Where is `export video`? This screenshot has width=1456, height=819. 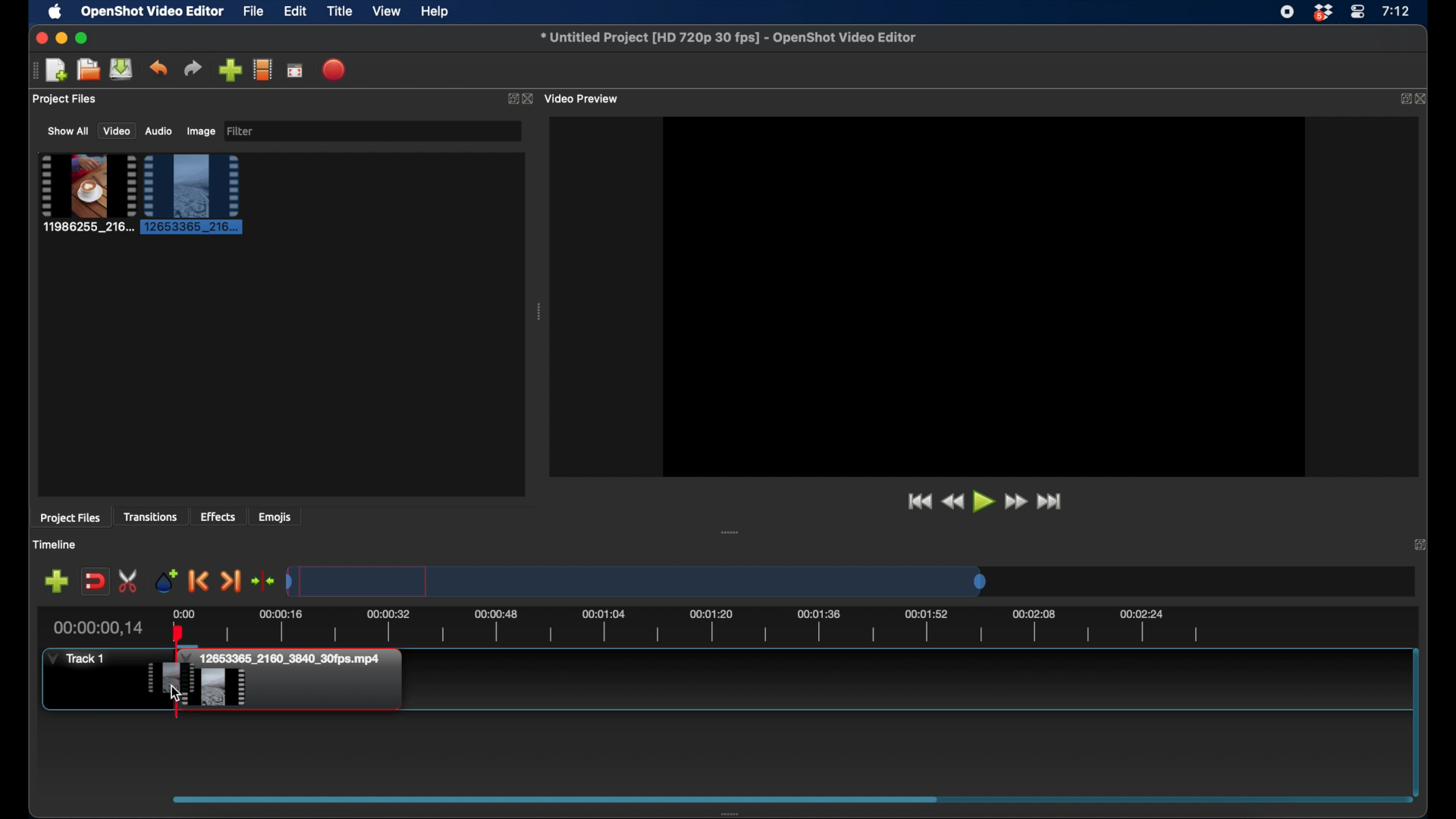
export video is located at coordinates (336, 70).